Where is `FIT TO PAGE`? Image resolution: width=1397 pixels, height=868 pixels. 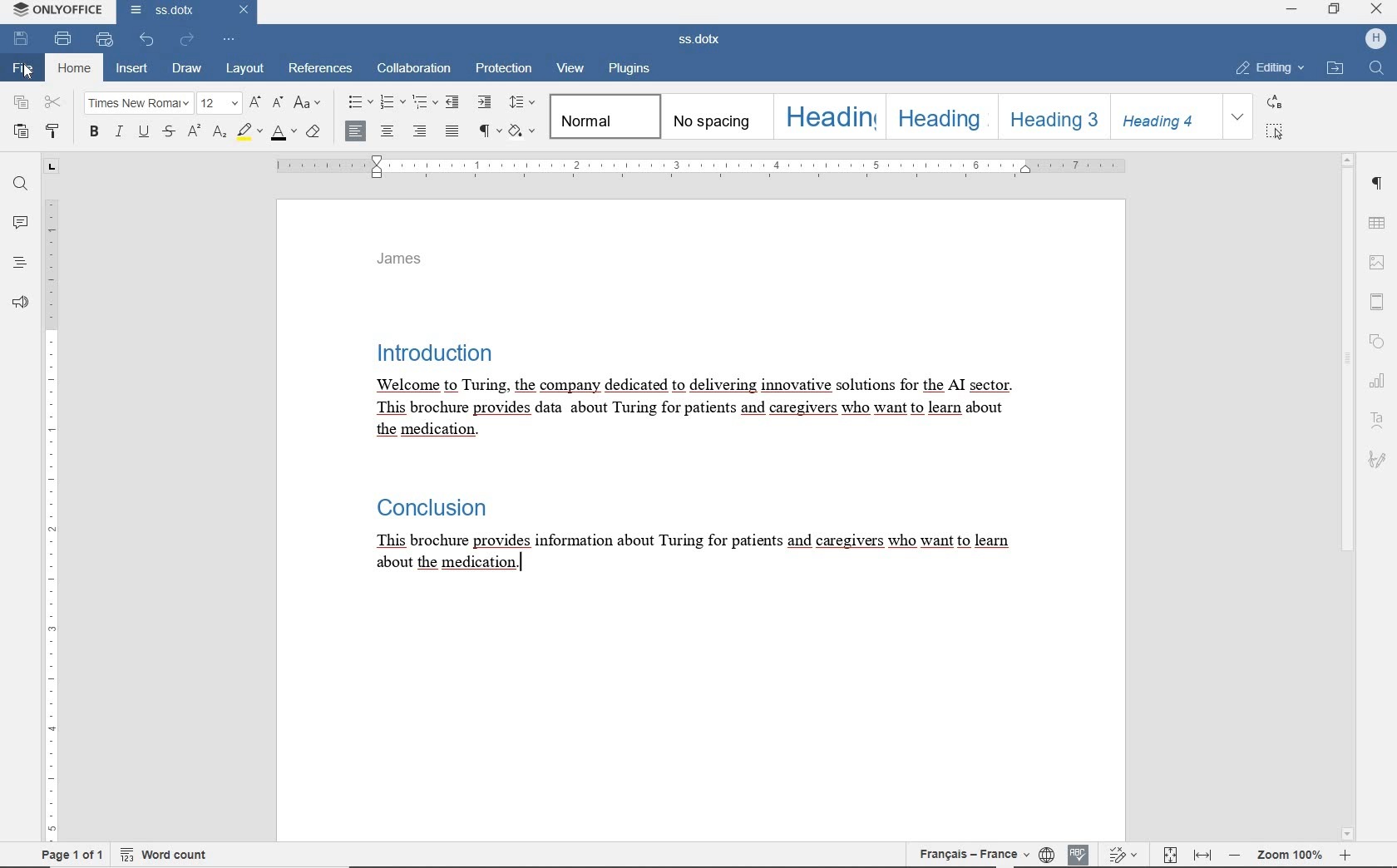
FIT TO PAGE is located at coordinates (1170, 854).